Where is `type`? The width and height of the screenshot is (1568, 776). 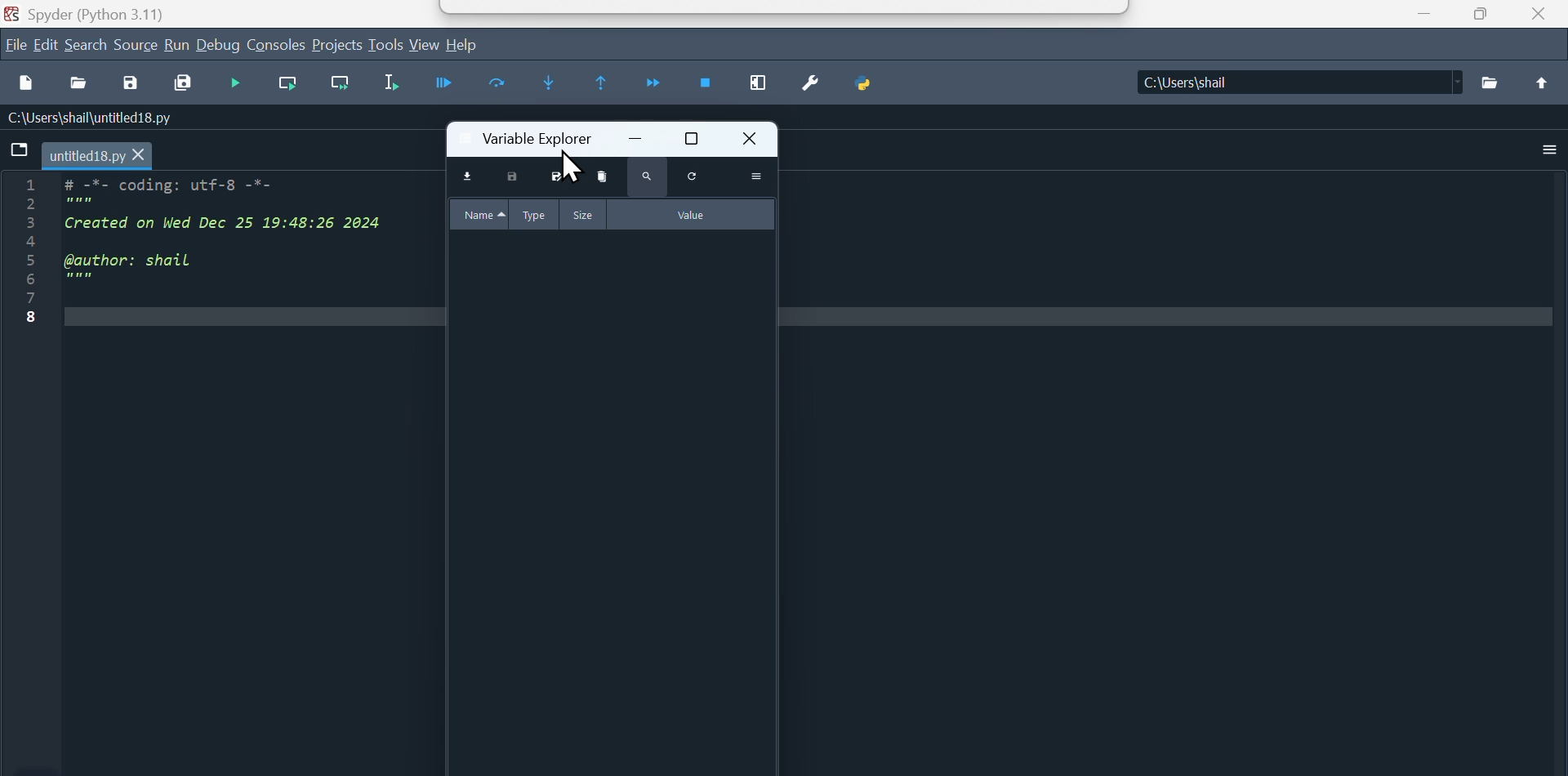
type is located at coordinates (534, 215).